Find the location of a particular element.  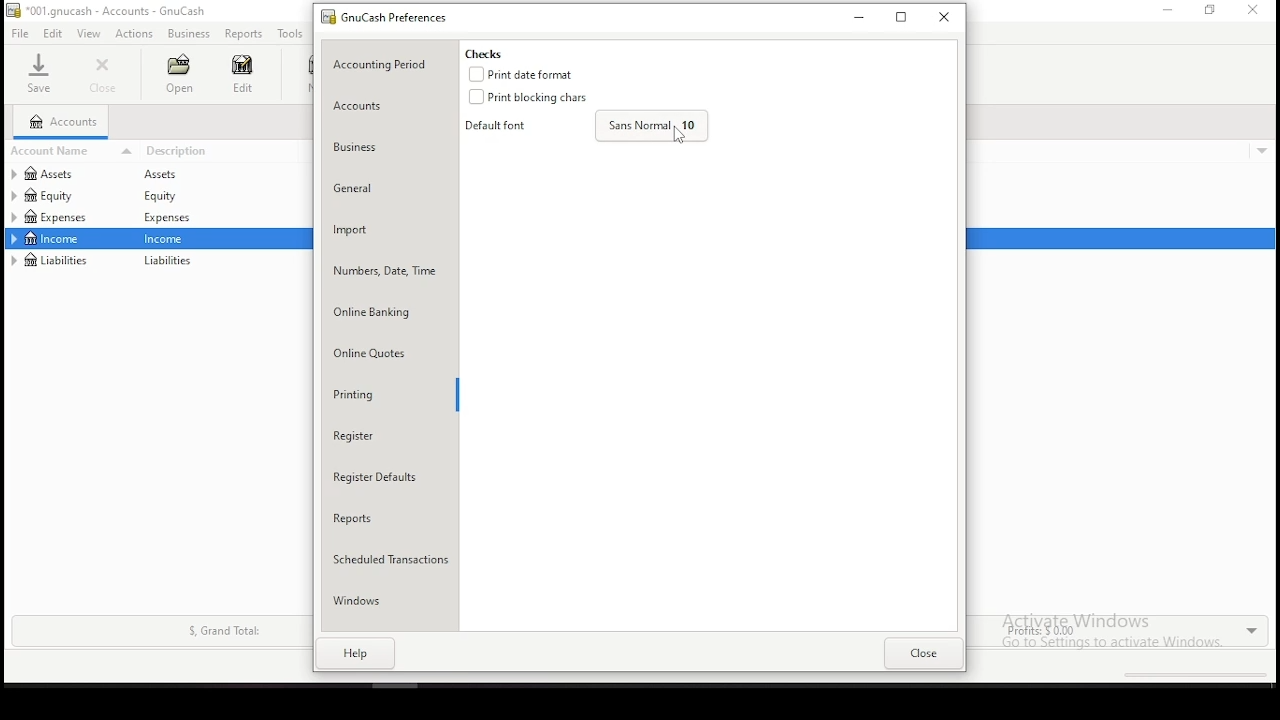

accounts is located at coordinates (372, 103).